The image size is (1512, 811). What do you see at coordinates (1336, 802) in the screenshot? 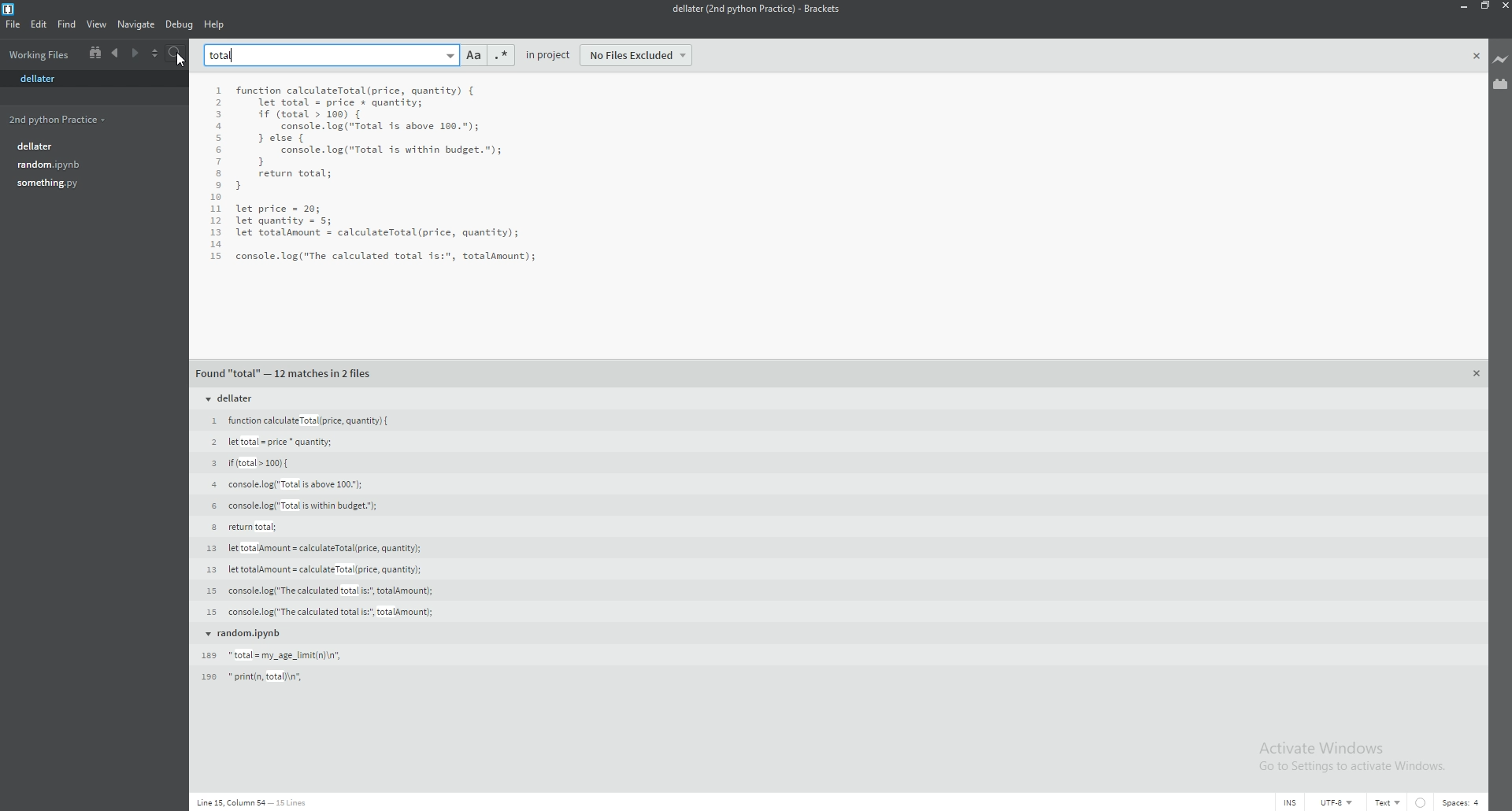
I see `UTF-8` at bounding box center [1336, 802].